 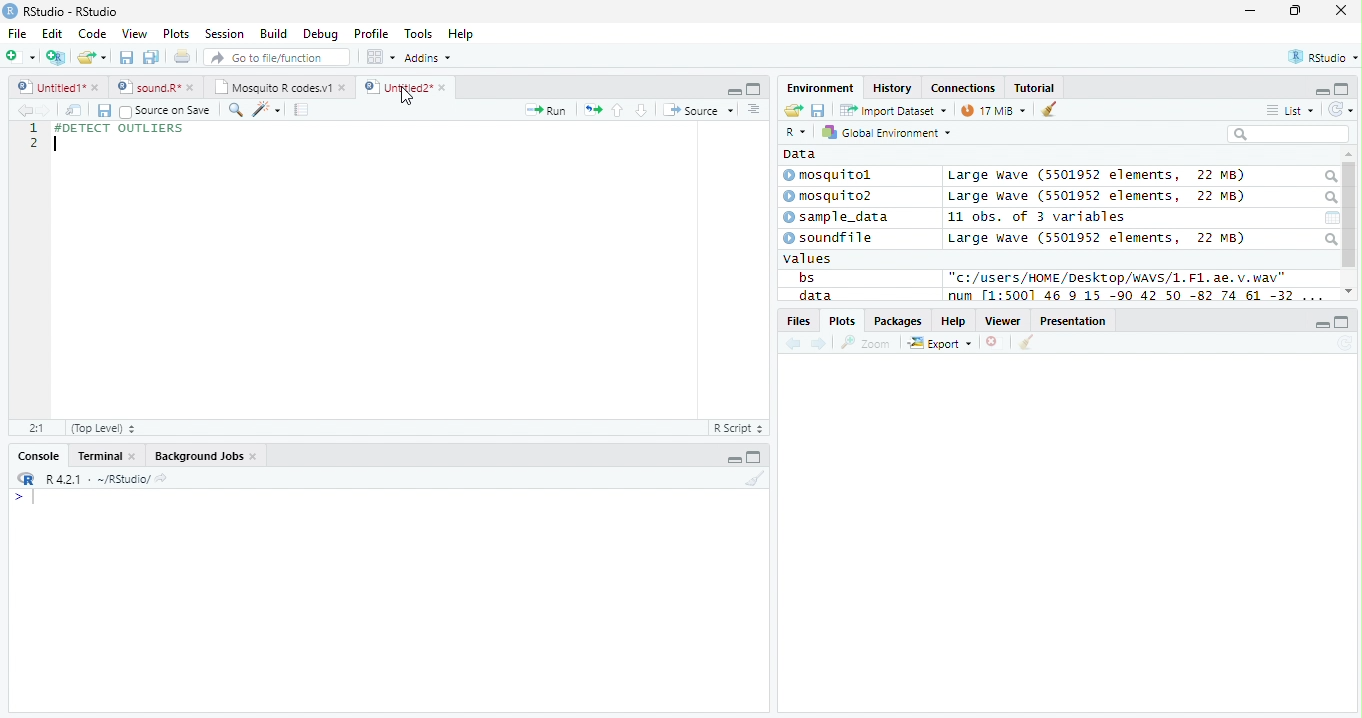 What do you see at coordinates (806, 277) in the screenshot?
I see `bs` at bounding box center [806, 277].